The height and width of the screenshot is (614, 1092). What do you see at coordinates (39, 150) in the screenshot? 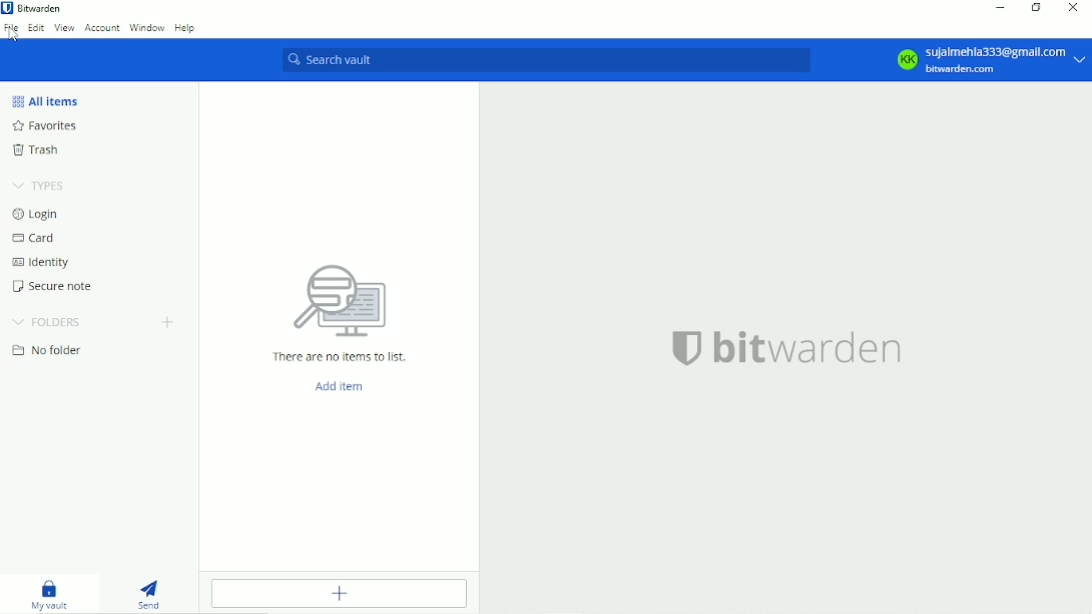
I see `Trash` at bounding box center [39, 150].